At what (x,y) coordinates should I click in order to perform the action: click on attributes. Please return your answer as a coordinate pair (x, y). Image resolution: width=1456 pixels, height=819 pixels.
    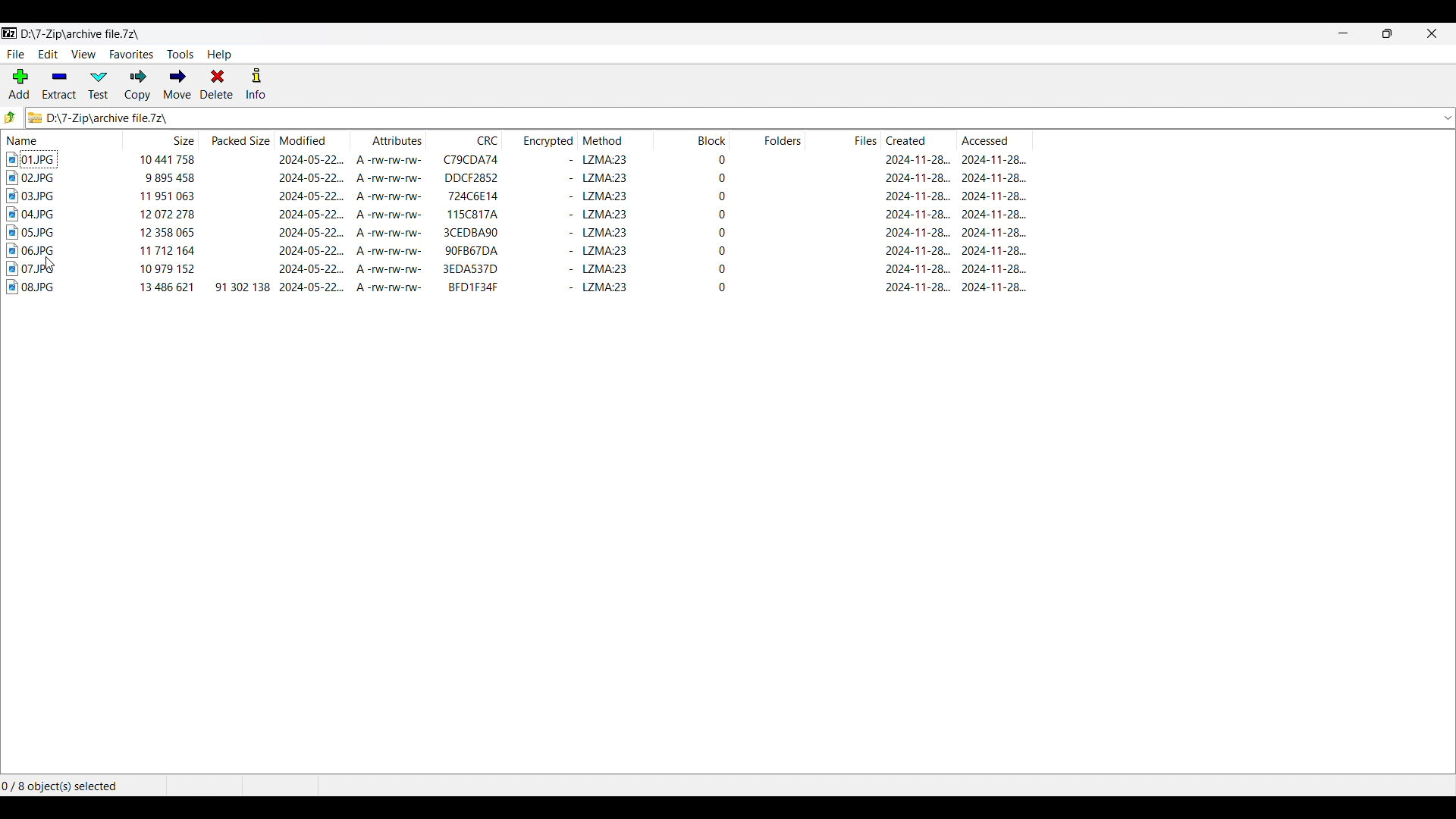
    Looking at the image, I should click on (388, 196).